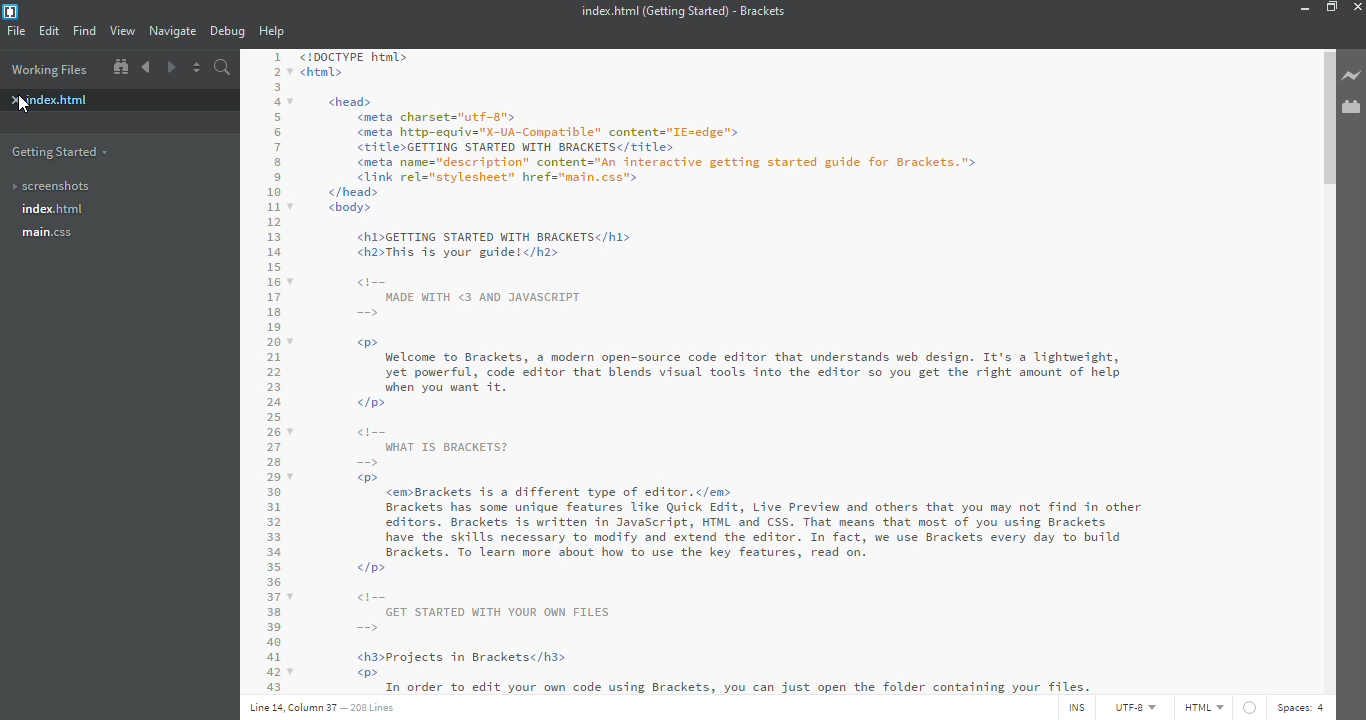 The height and width of the screenshot is (720, 1366). I want to click on index.html, so click(62, 98).